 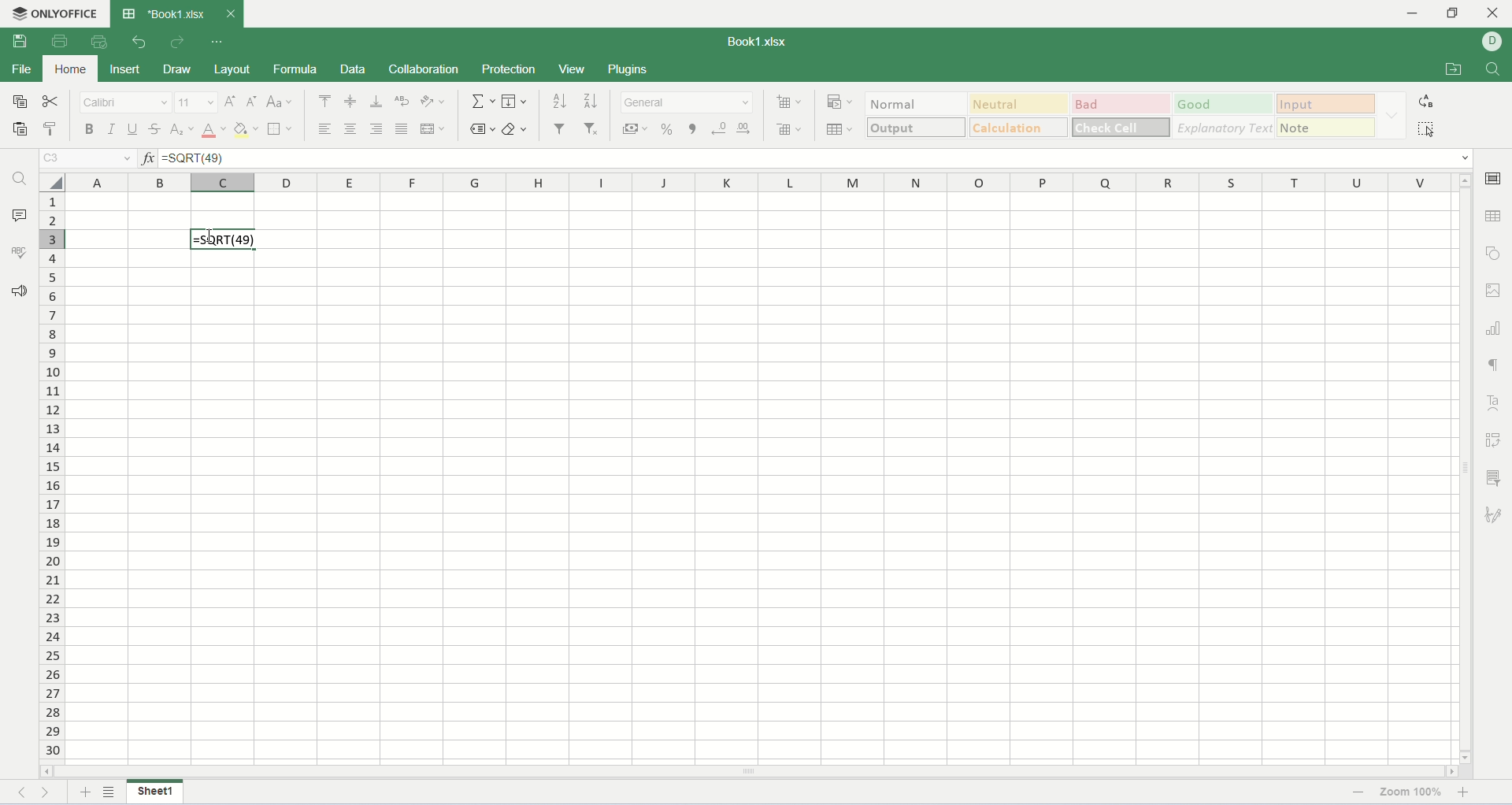 I want to click on decrease decimal, so click(x=718, y=127).